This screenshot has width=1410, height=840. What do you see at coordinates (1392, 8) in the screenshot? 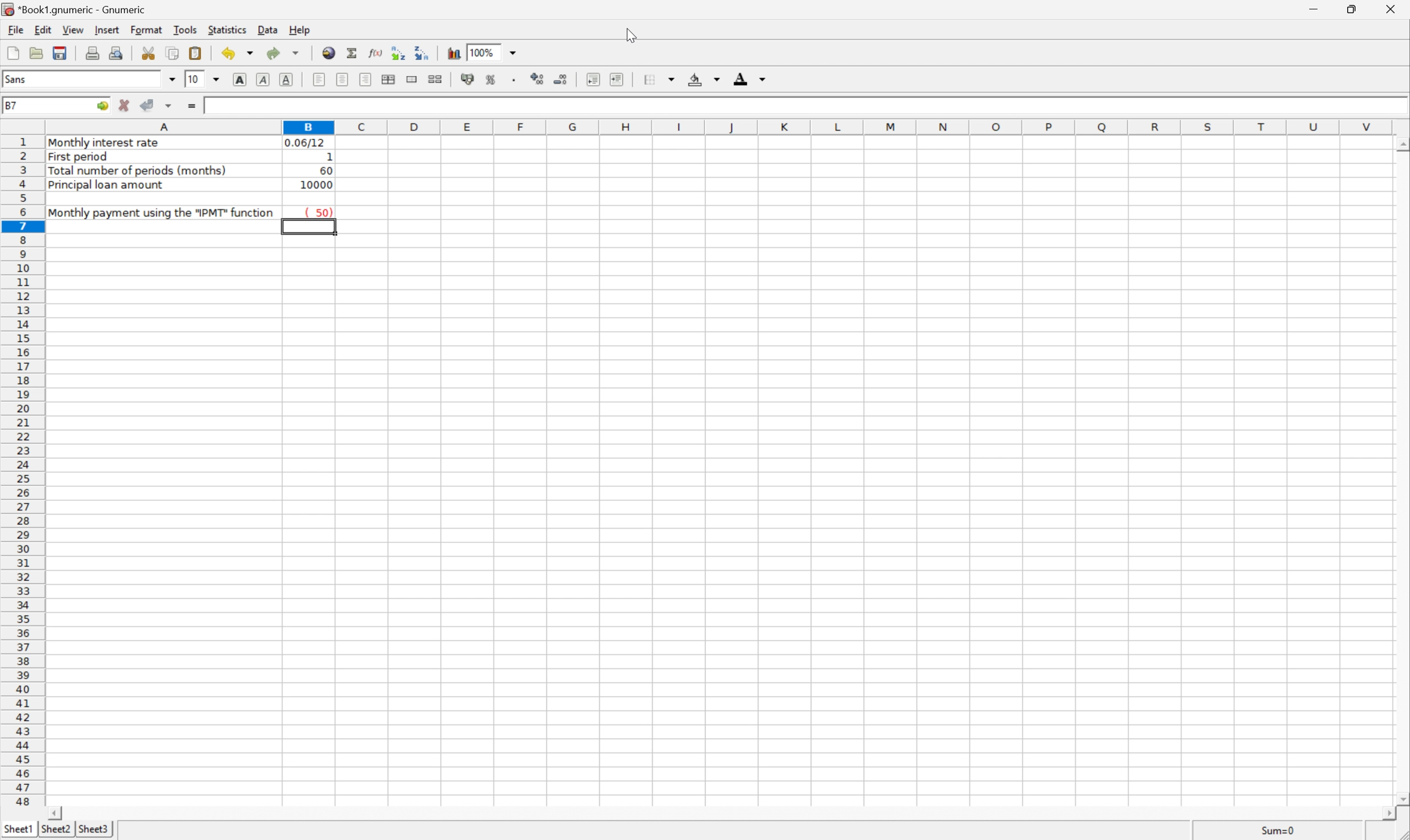
I see `Close` at bounding box center [1392, 8].